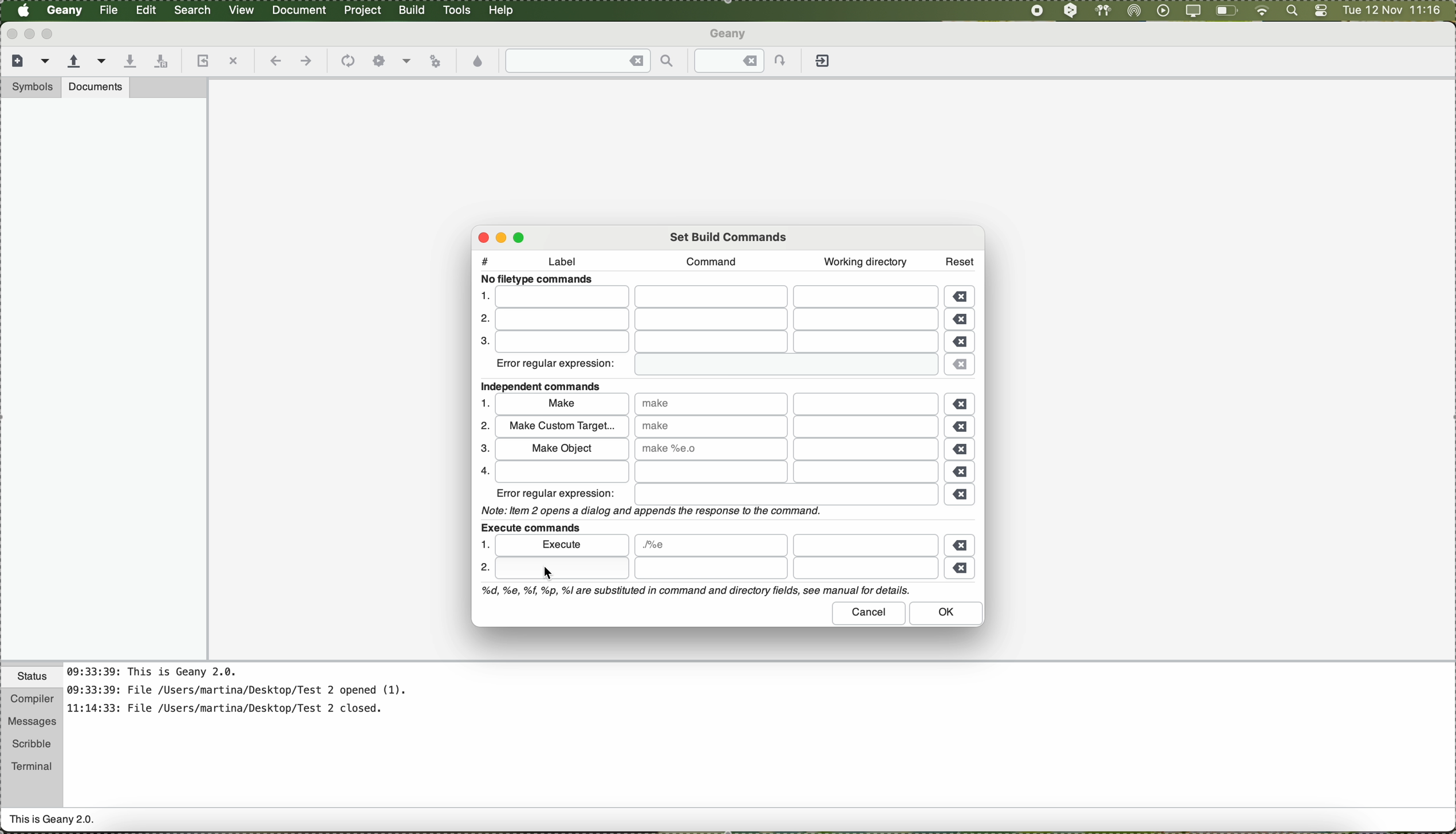 The image size is (1456, 834). Describe the element at coordinates (1321, 11) in the screenshot. I see `controls` at that location.